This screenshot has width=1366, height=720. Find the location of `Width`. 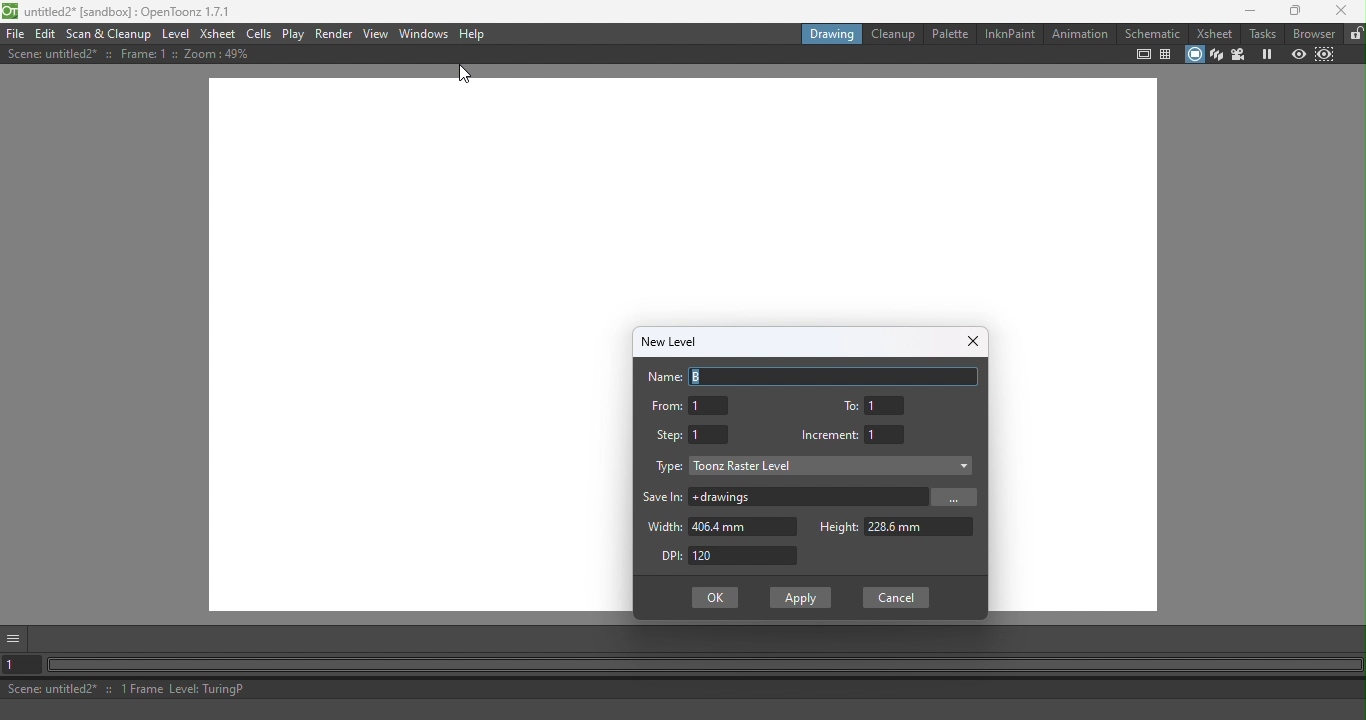

Width is located at coordinates (744, 526).